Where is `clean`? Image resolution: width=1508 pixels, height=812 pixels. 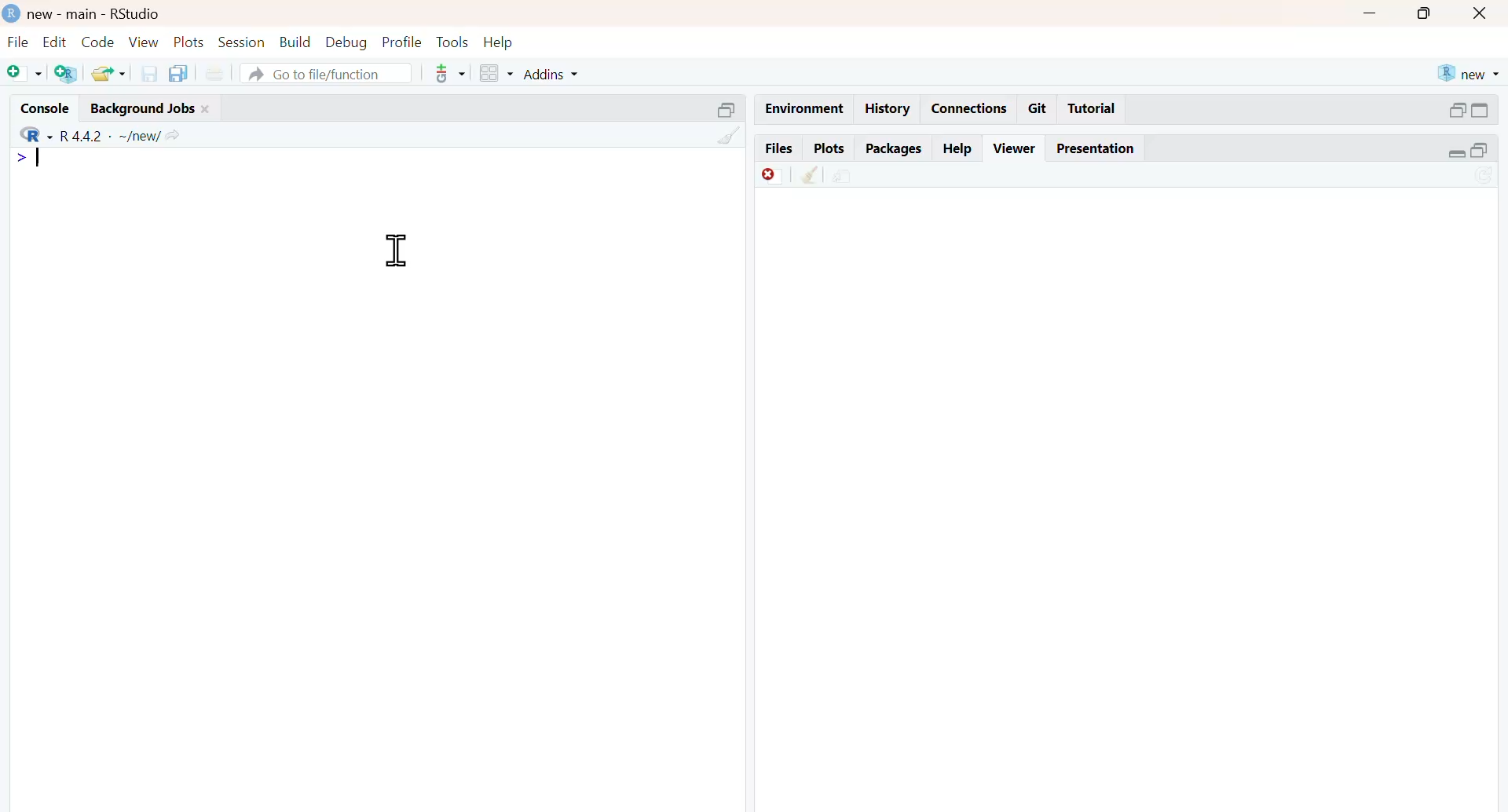 clean is located at coordinates (811, 174).